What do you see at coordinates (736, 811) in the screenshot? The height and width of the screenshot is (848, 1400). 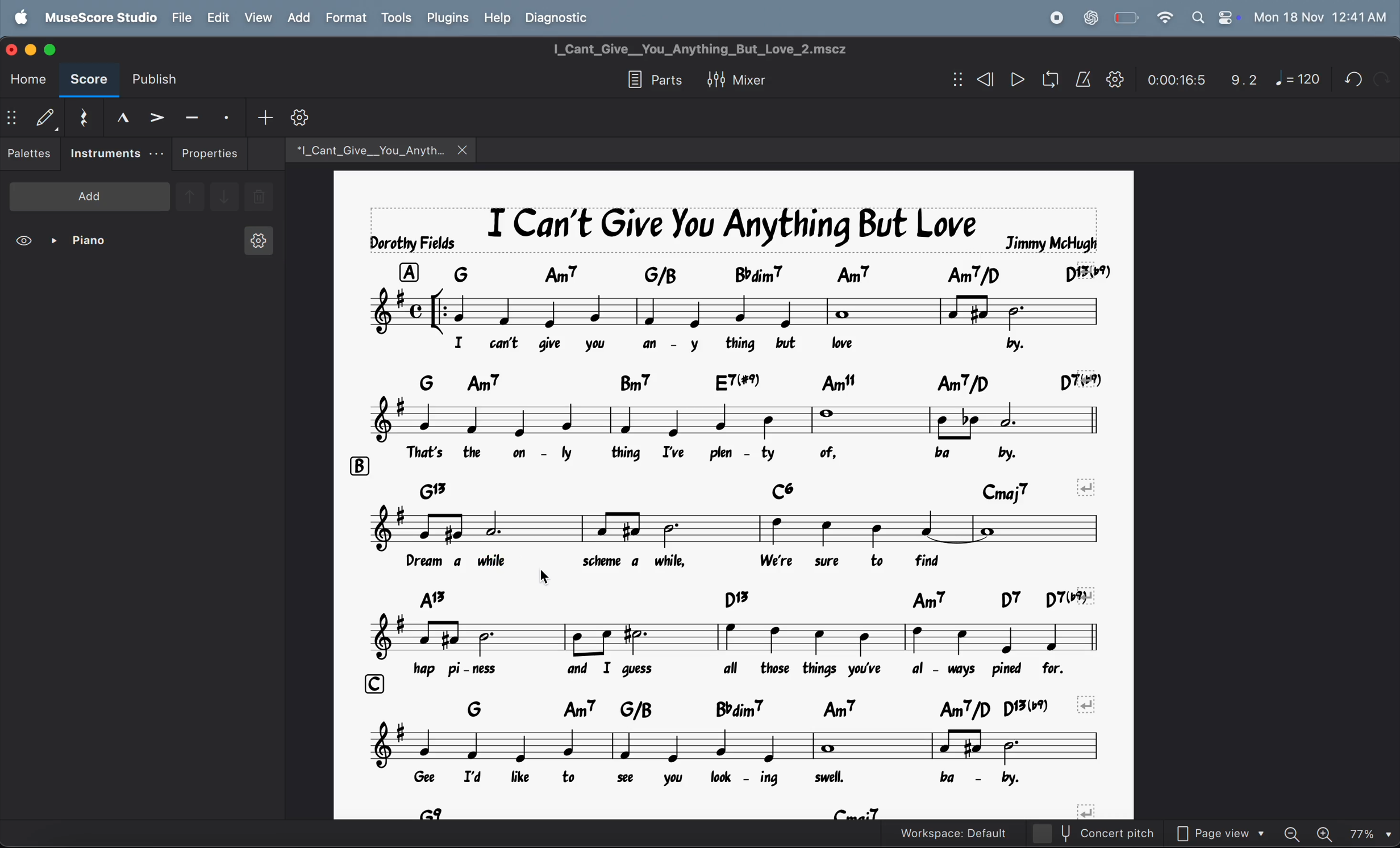 I see `chord symbols` at bounding box center [736, 811].